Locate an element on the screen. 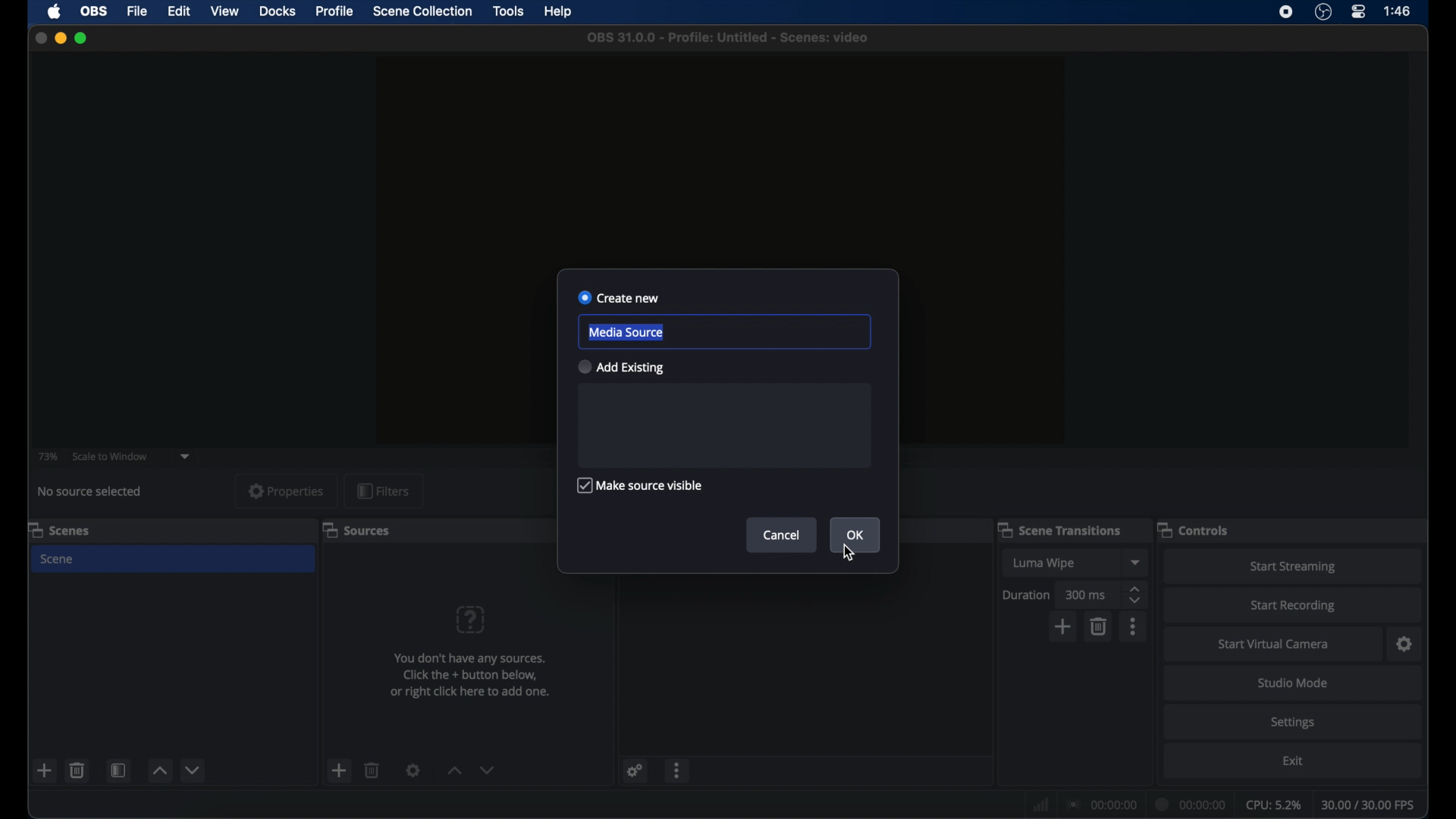 The width and height of the screenshot is (1456, 819). controls is located at coordinates (1192, 531).